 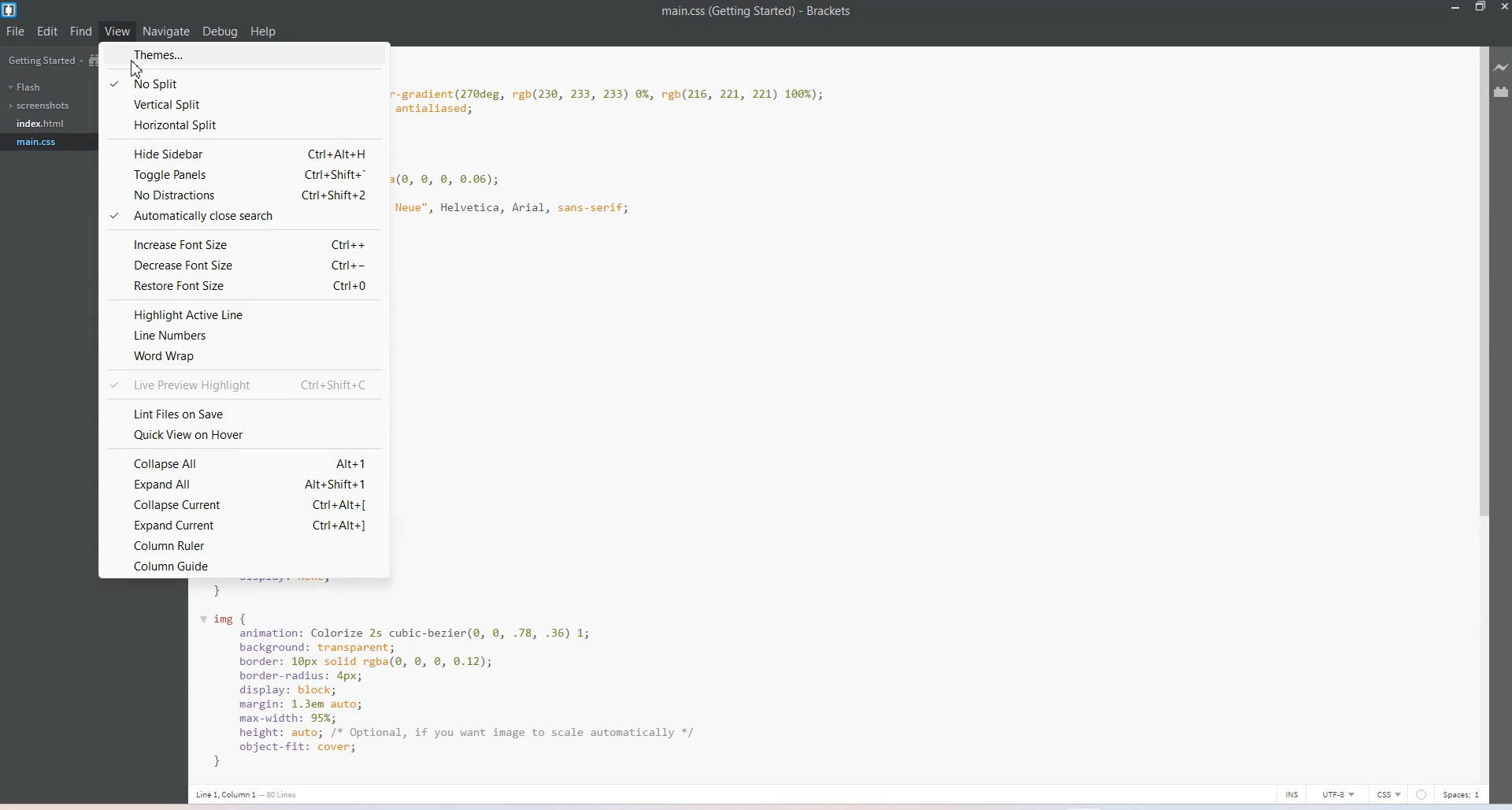 What do you see at coordinates (40, 106) in the screenshot?
I see `Screenshots` at bounding box center [40, 106].